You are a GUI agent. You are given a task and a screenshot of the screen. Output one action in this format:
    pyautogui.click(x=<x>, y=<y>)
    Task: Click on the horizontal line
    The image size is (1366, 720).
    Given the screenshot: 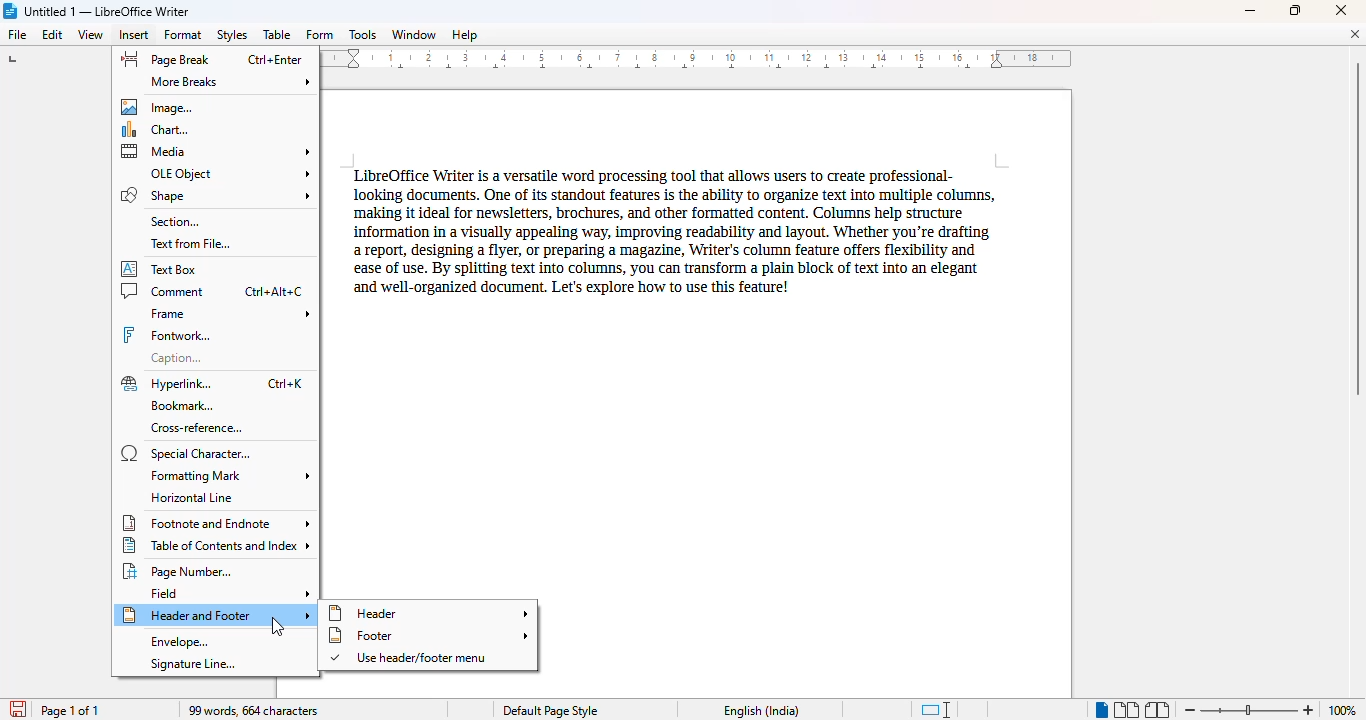 What is the action you would take?
    pyautogui.click(x=193, y=497)
    